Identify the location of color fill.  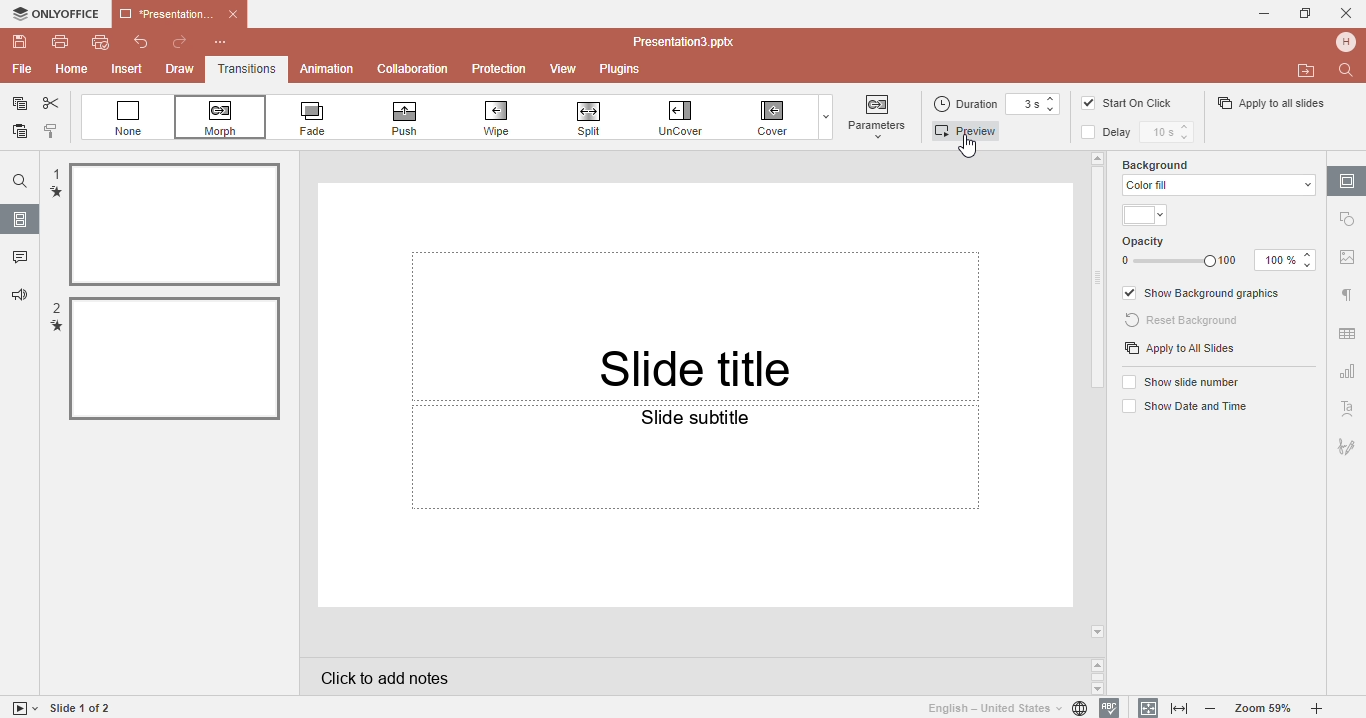
(1216, 185).